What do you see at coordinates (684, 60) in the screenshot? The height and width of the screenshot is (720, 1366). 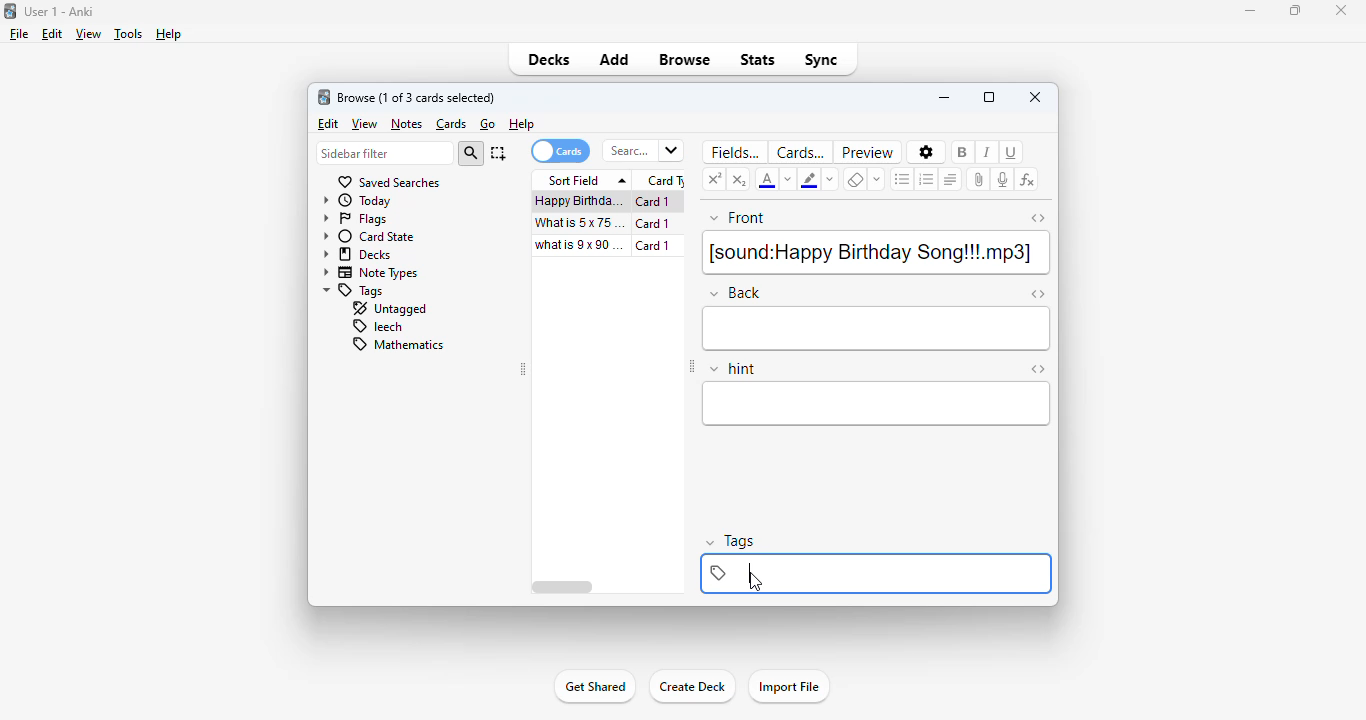 I see `browse` at bounding box center [684, 60].